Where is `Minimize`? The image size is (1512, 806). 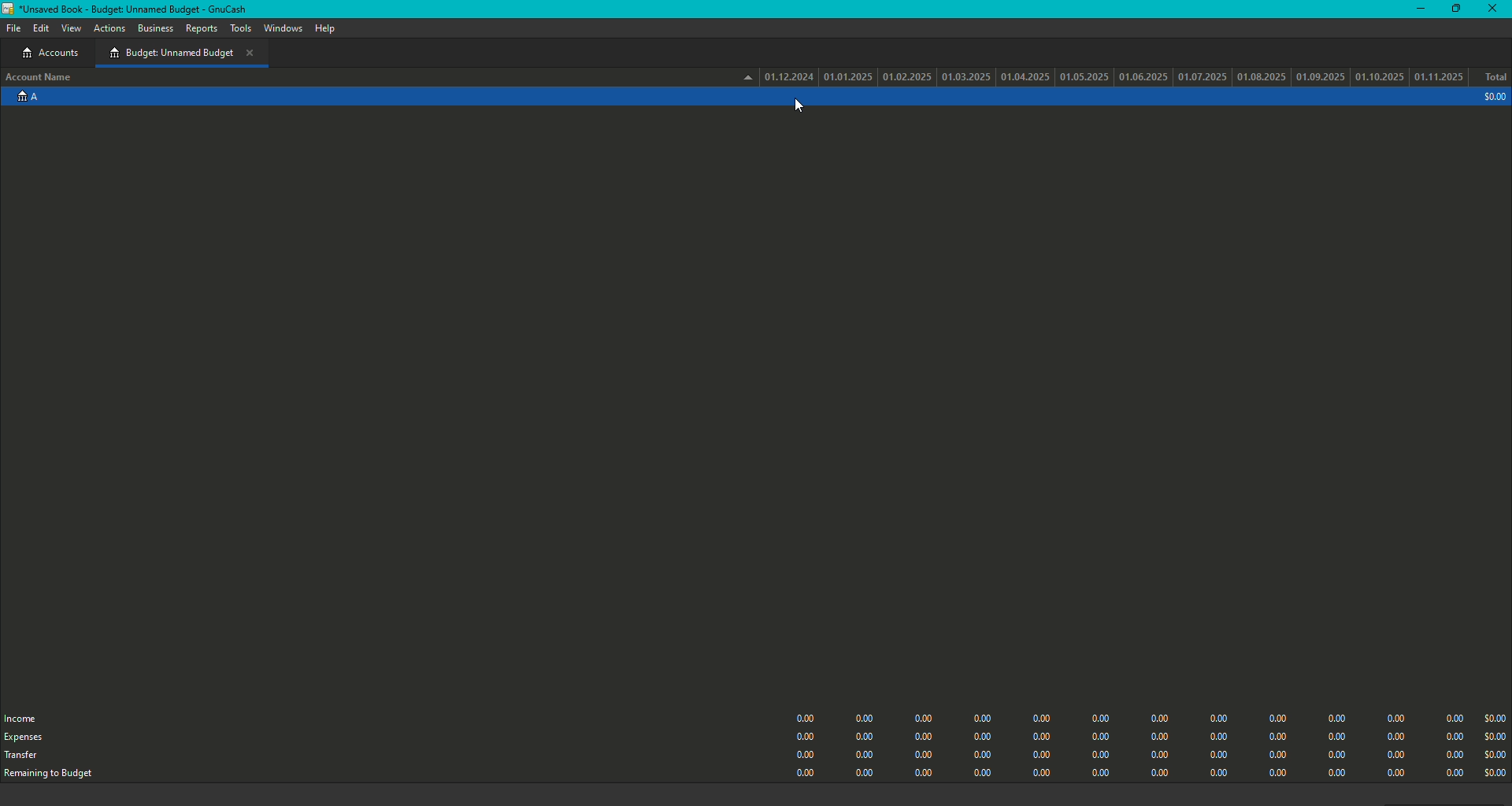 Minimize is located at coordinates (1417, 8).